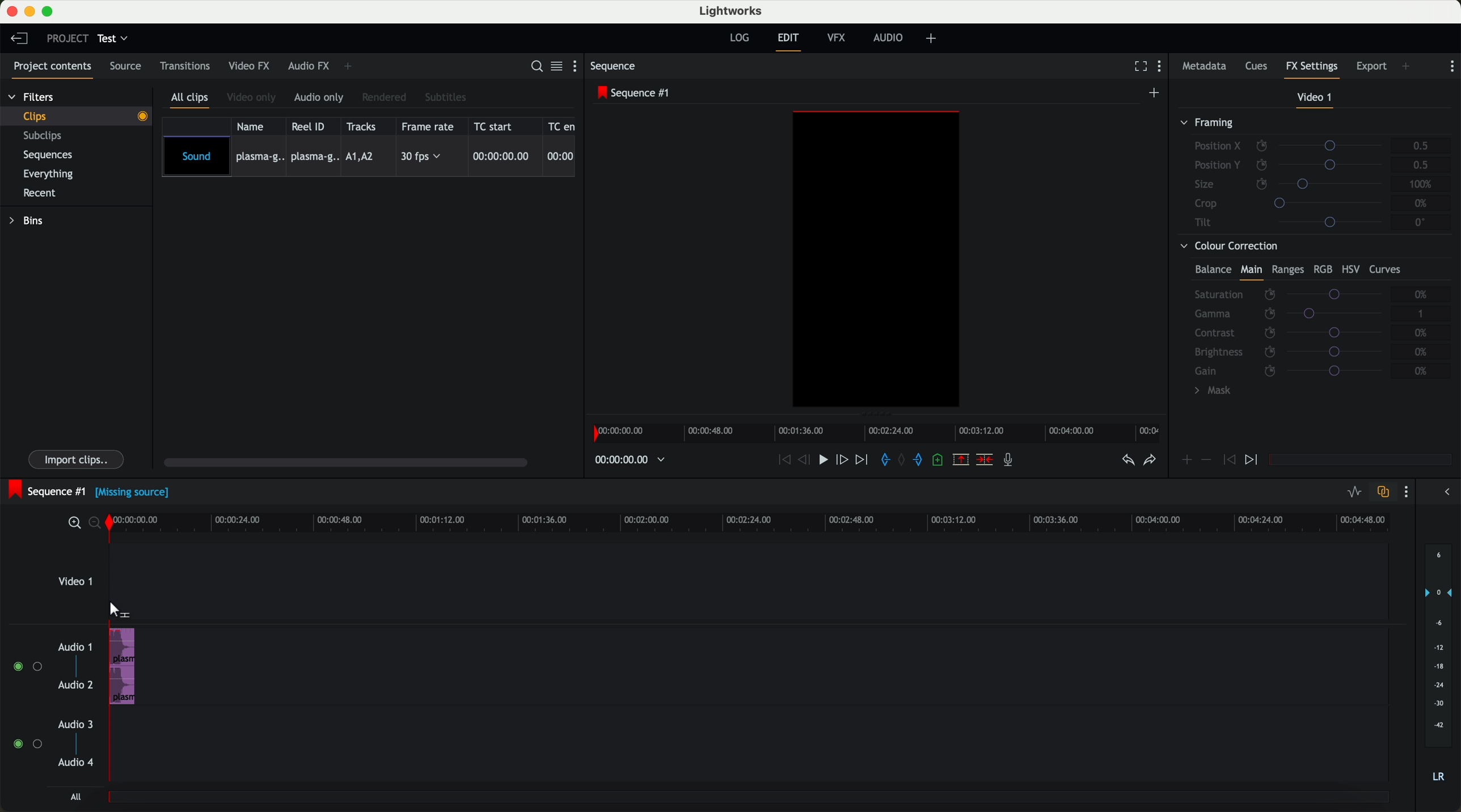 Image resolution: width=1461 pixels, height=812 pixels. Describe the element at coordinates (352, 464) in the screenshot. I see `scroll bar` at that location.